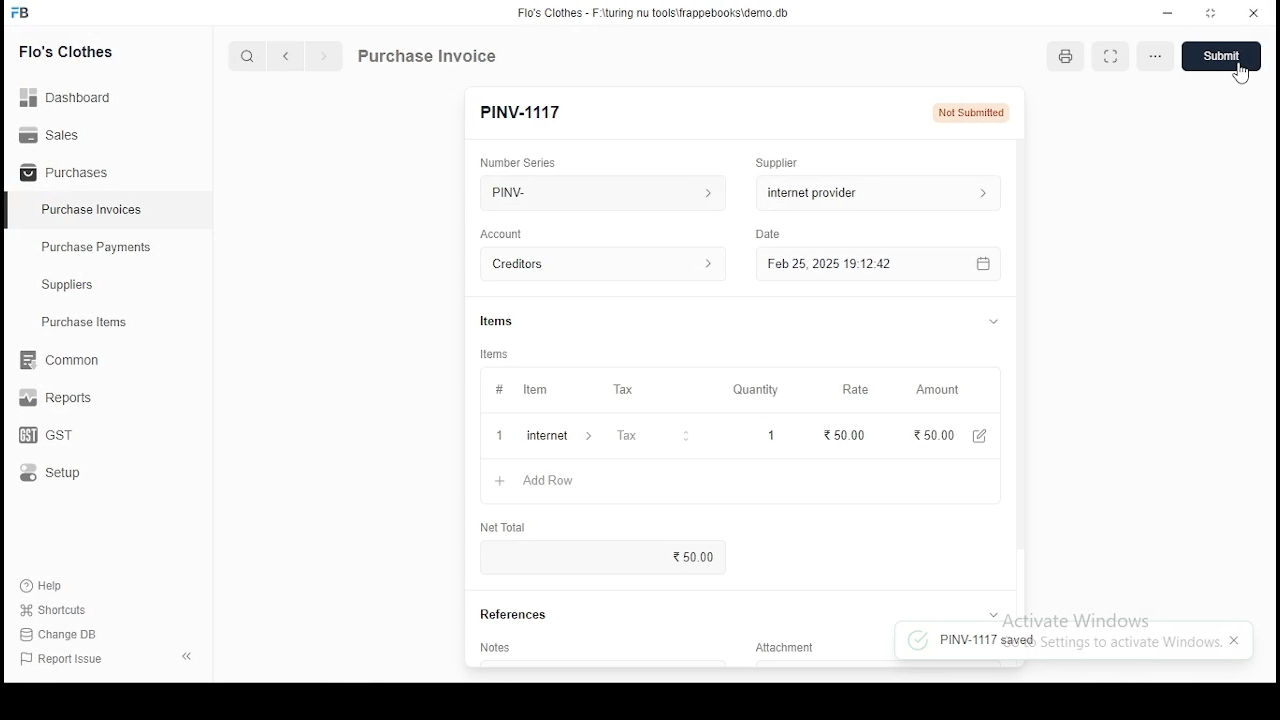  What do you see at coordinates (58, 400) in the screenshot?
I see `reports` at bounding box center [58, 400].